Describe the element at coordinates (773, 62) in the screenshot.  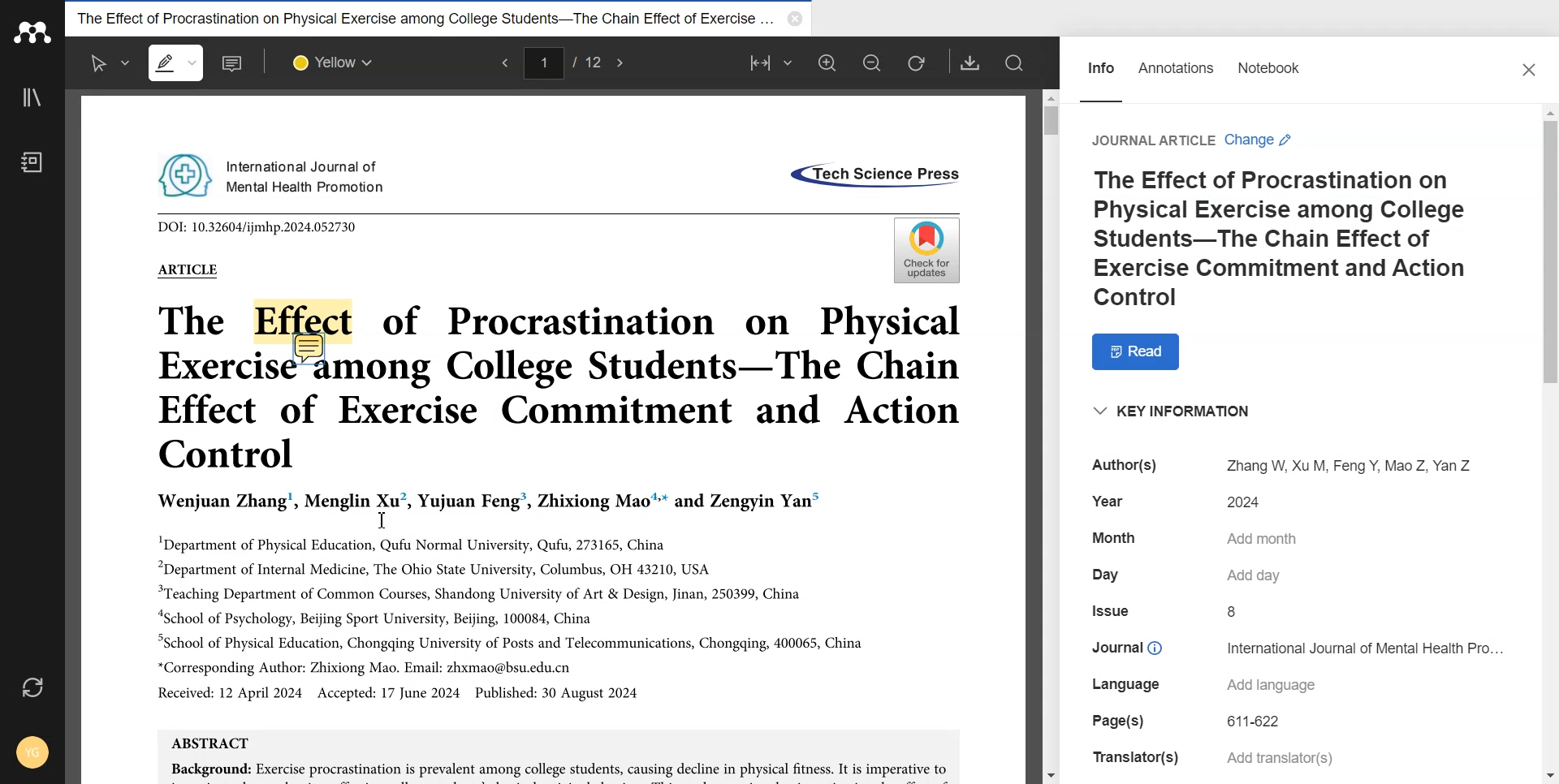
I see `Fit to width` at that location.